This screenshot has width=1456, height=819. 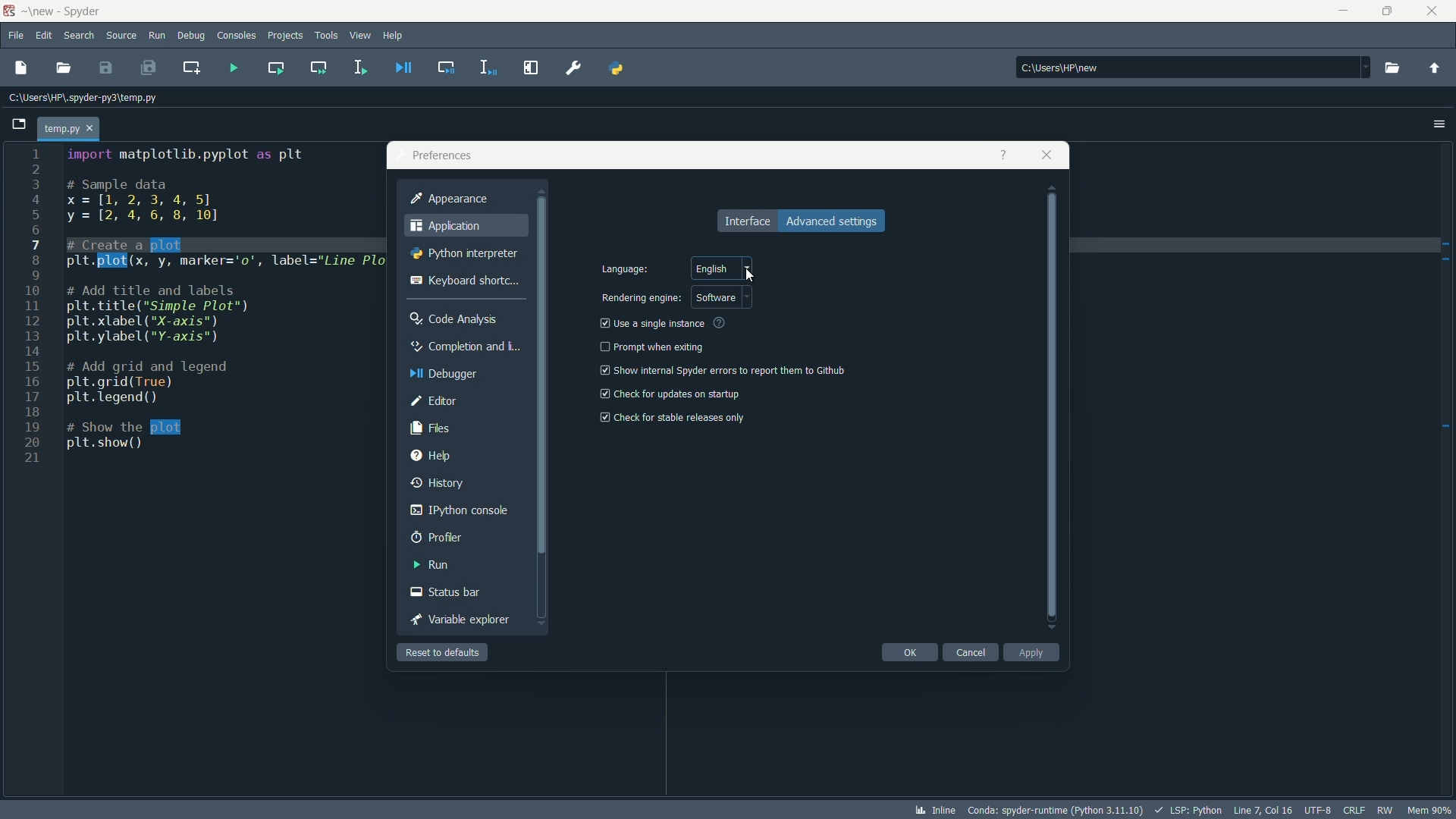 What do you see at coordinates (318, 67) in the screenshot?
I see `run current cell and go to the next one` at bounding box center [318, 67].